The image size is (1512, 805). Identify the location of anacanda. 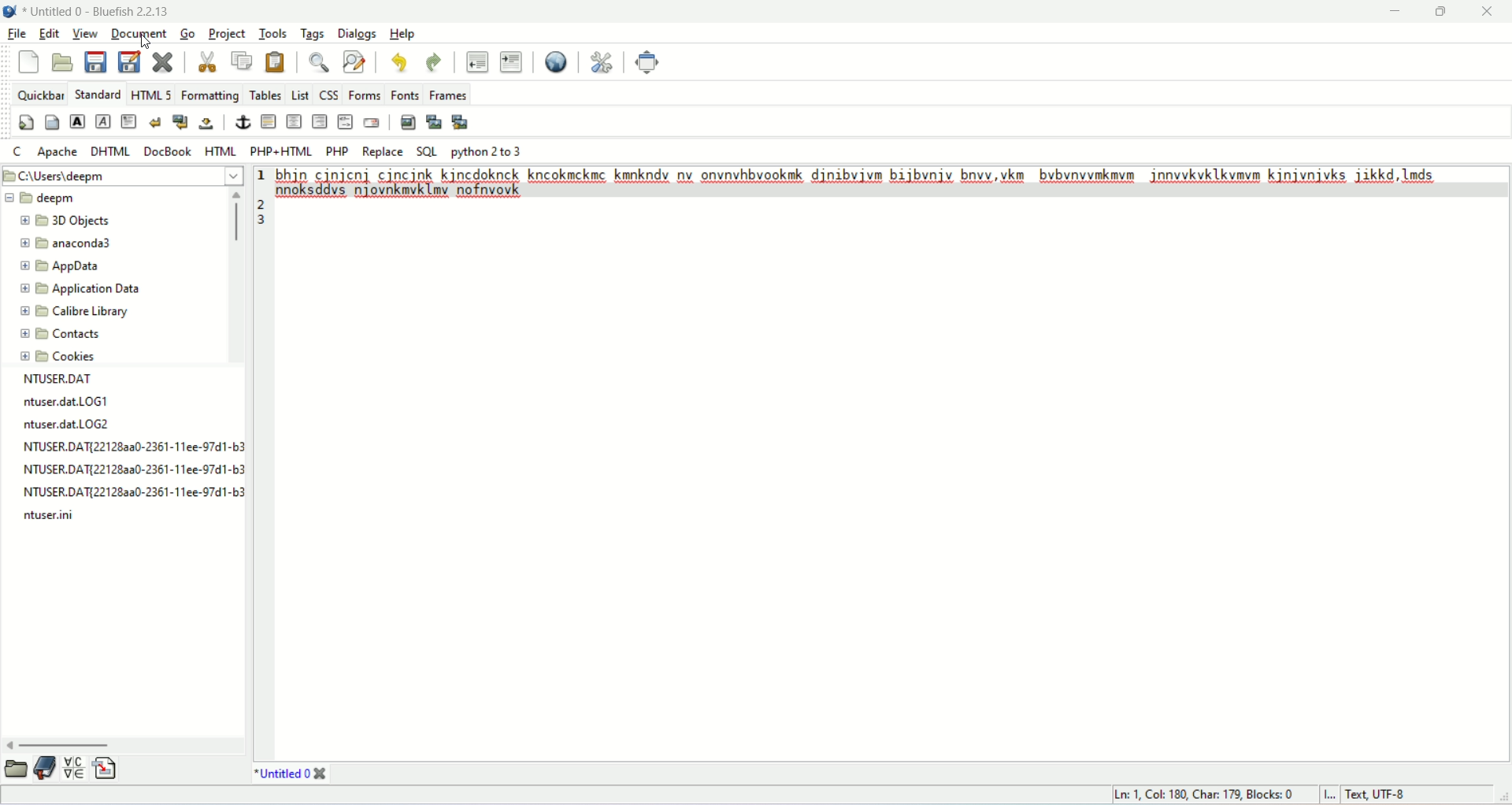
(73, 245).